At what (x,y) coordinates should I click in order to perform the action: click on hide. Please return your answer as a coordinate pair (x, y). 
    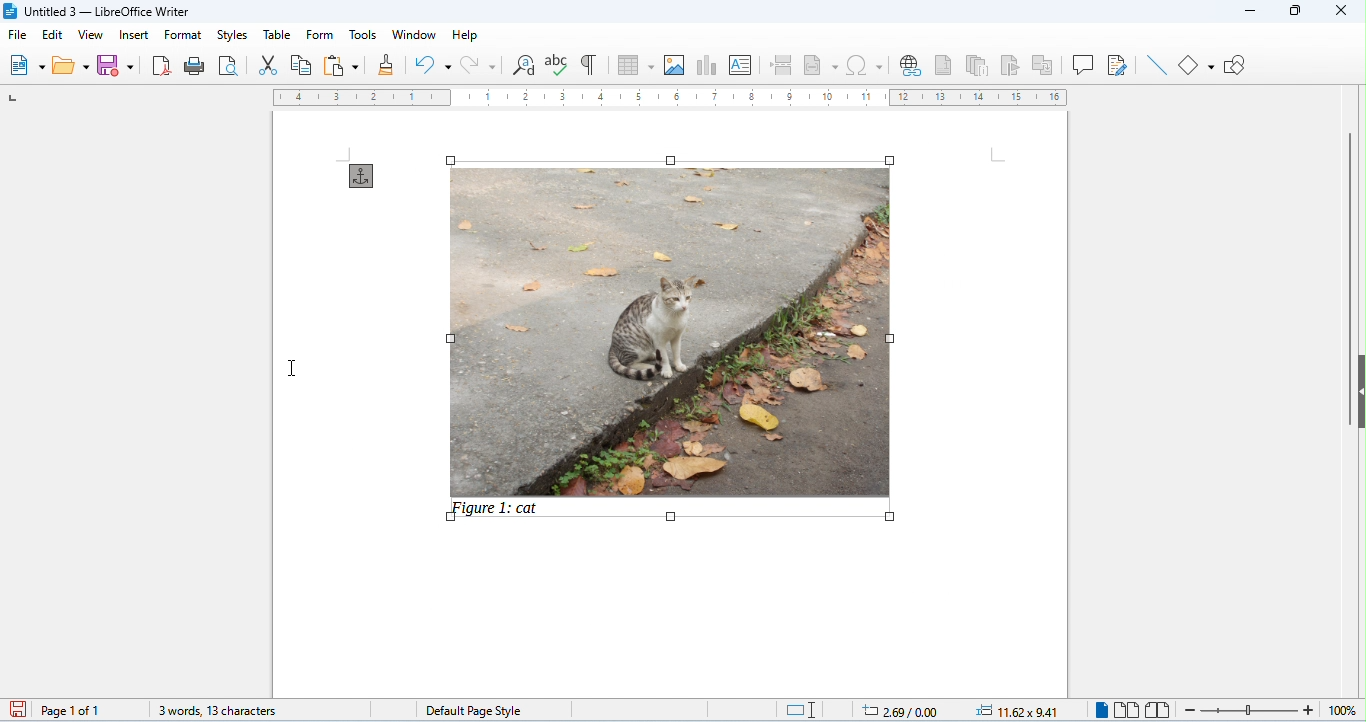
    Looking at the image, I should click on (1357, 391).